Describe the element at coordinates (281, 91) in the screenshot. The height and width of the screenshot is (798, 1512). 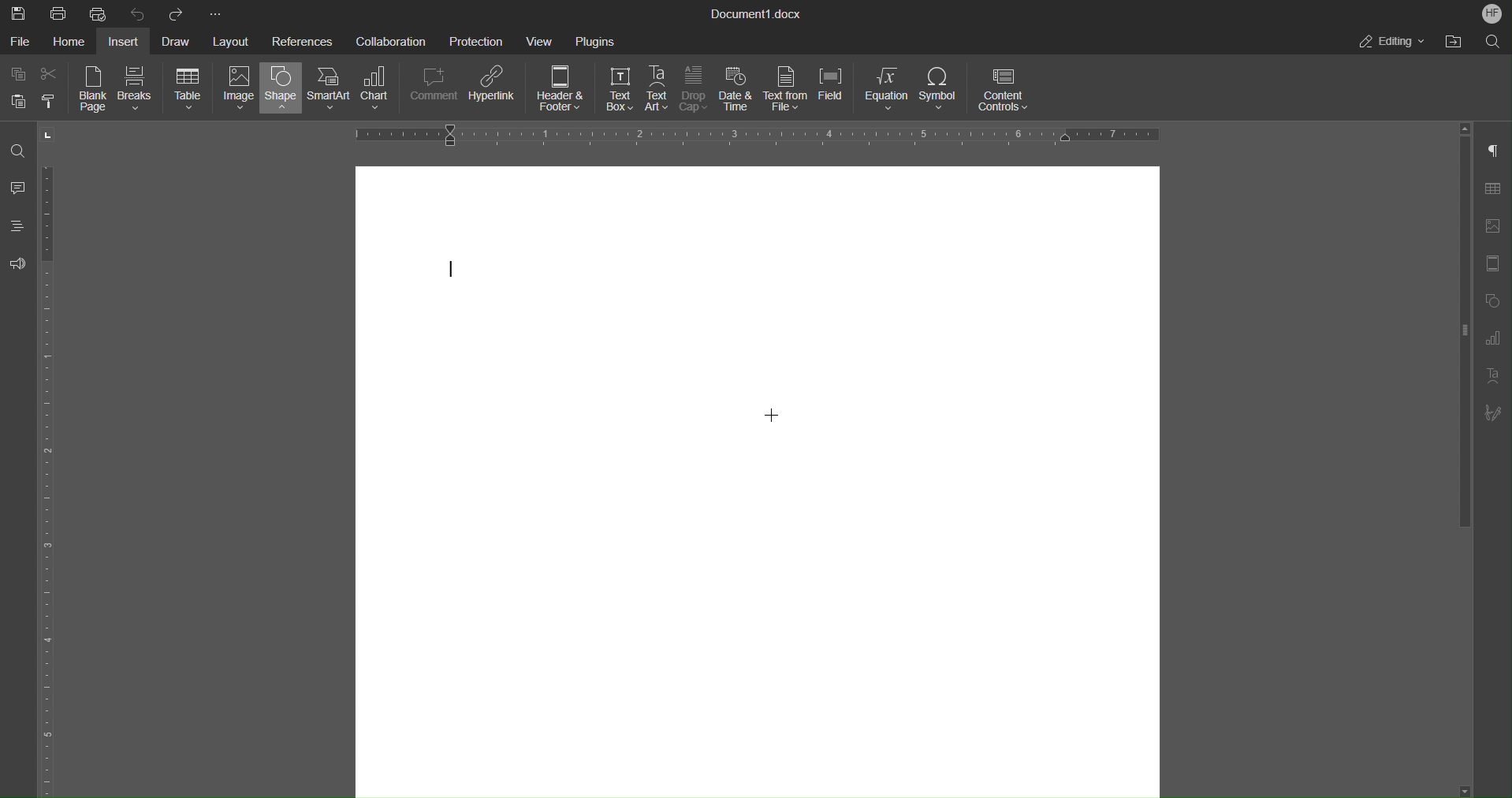
I see `Shape` at that location.